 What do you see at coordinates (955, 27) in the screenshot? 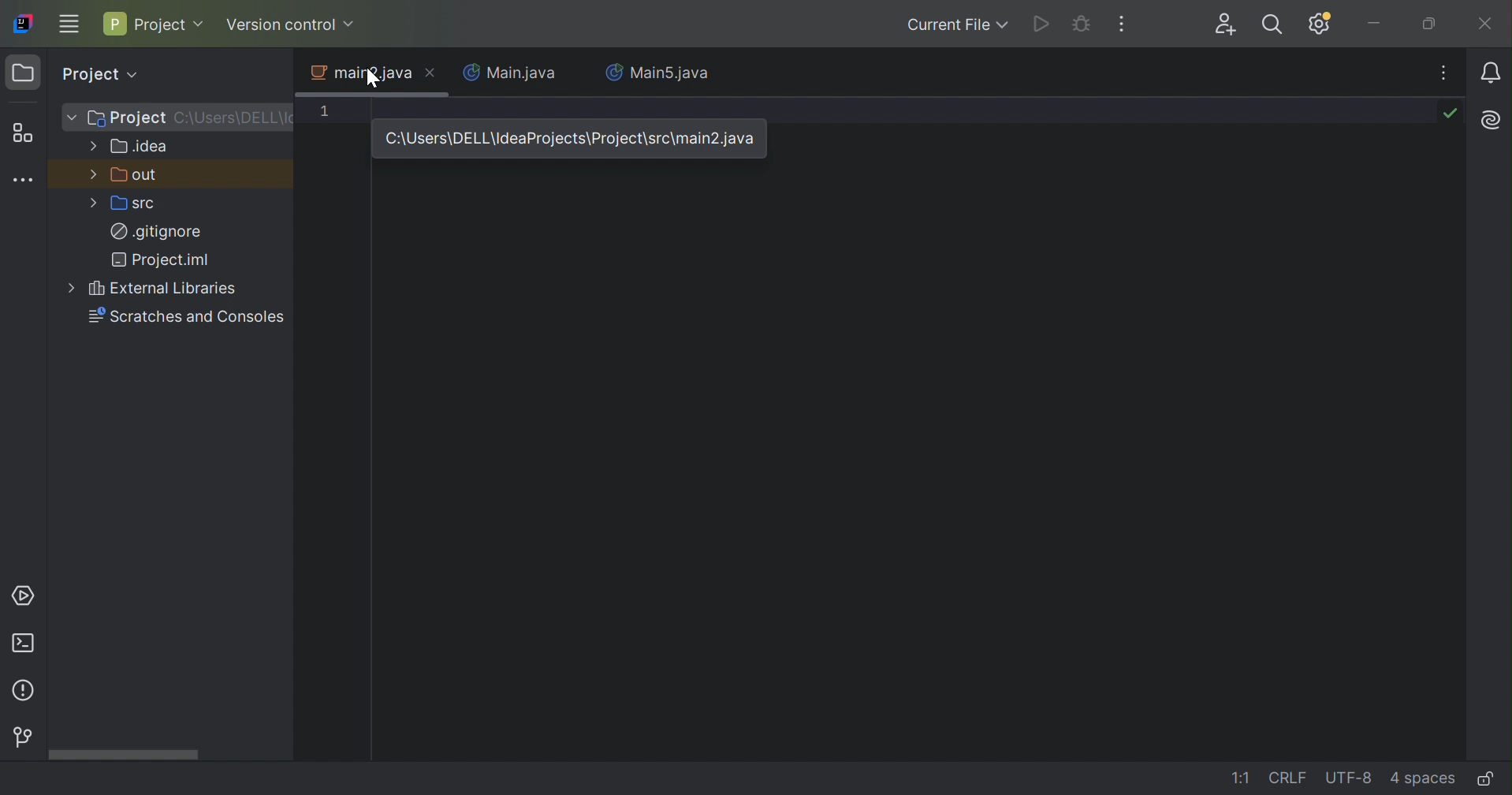
I see `Current file` at bounding box center [955, 27].